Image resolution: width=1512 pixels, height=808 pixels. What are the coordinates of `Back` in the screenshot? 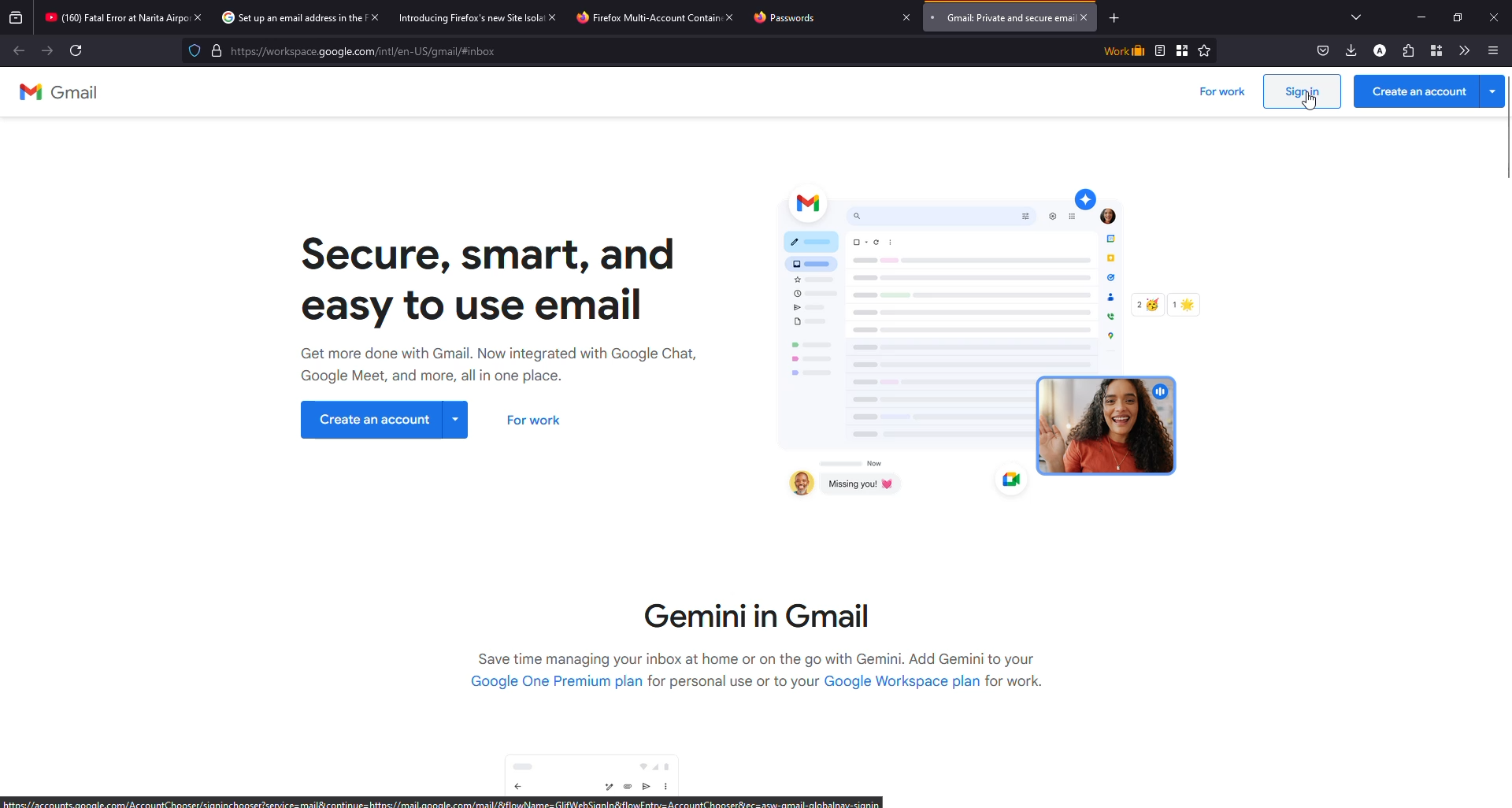 It's located at (21, 52).